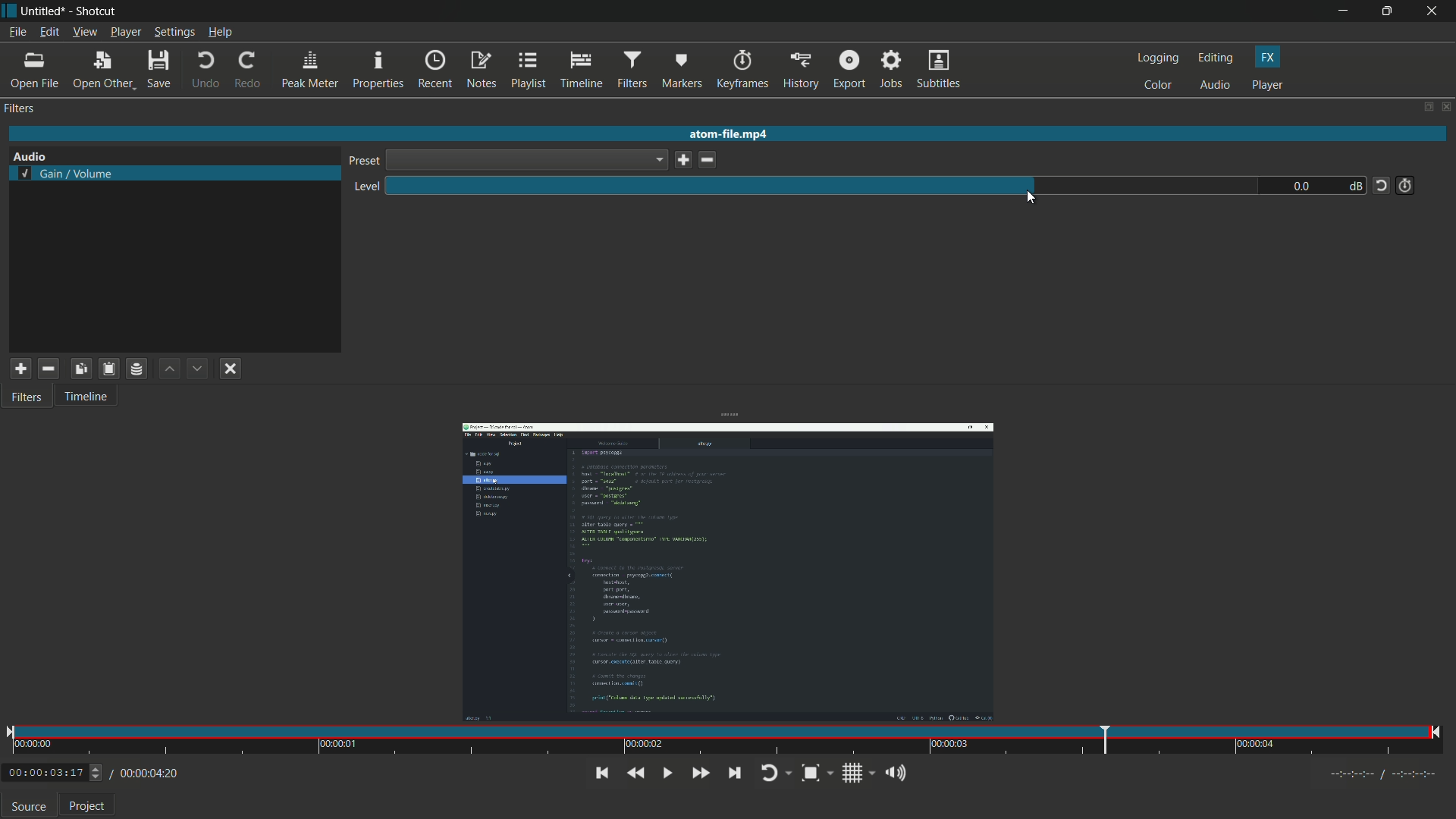 This screenshot has height=819, width=1456. I want to click on toggle zoom, so click(817, 774).